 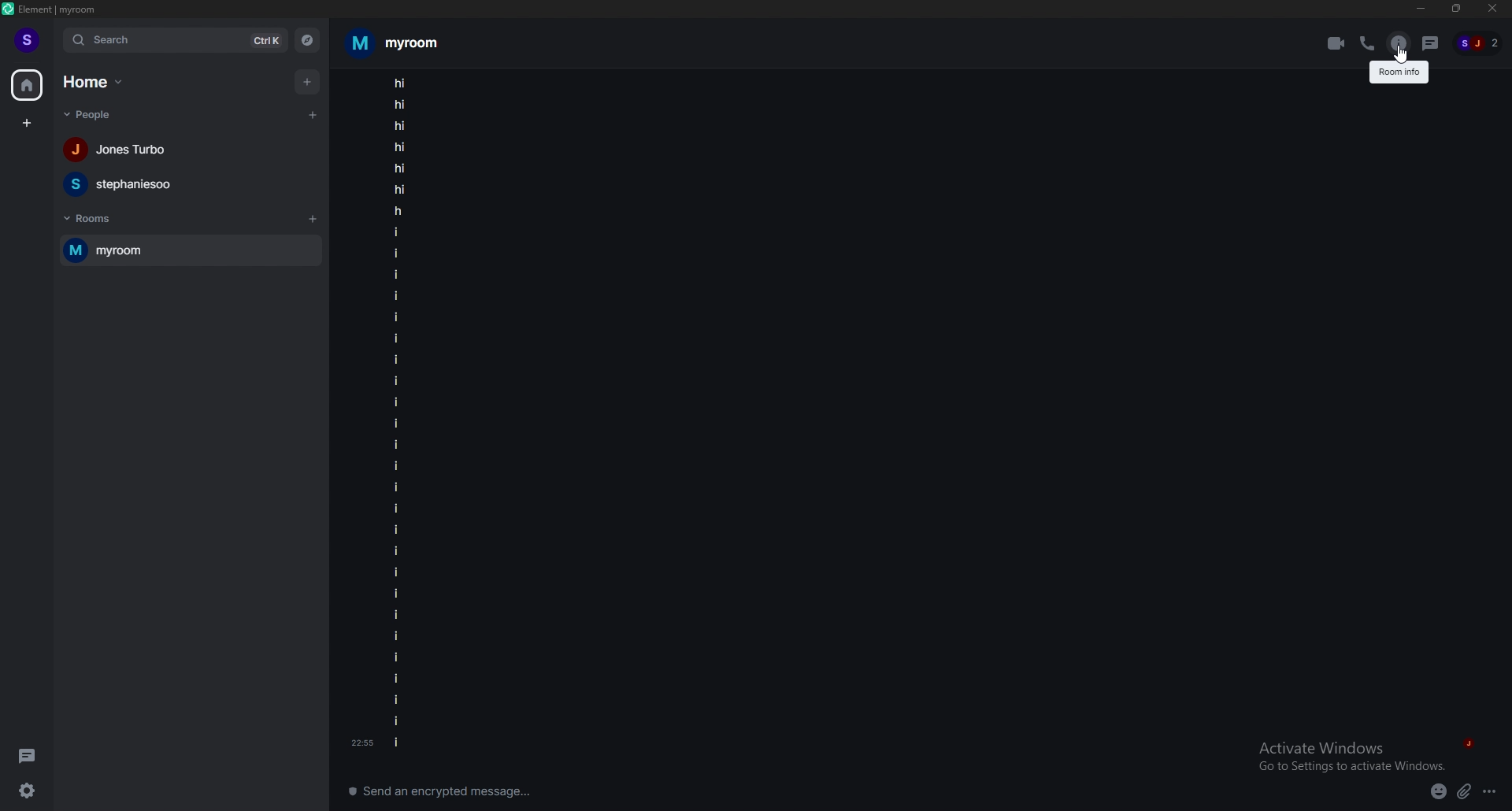 What do you see at coordinates (394, 43) in the screenshot?
I see `room name` at bounding box center [394, 43].